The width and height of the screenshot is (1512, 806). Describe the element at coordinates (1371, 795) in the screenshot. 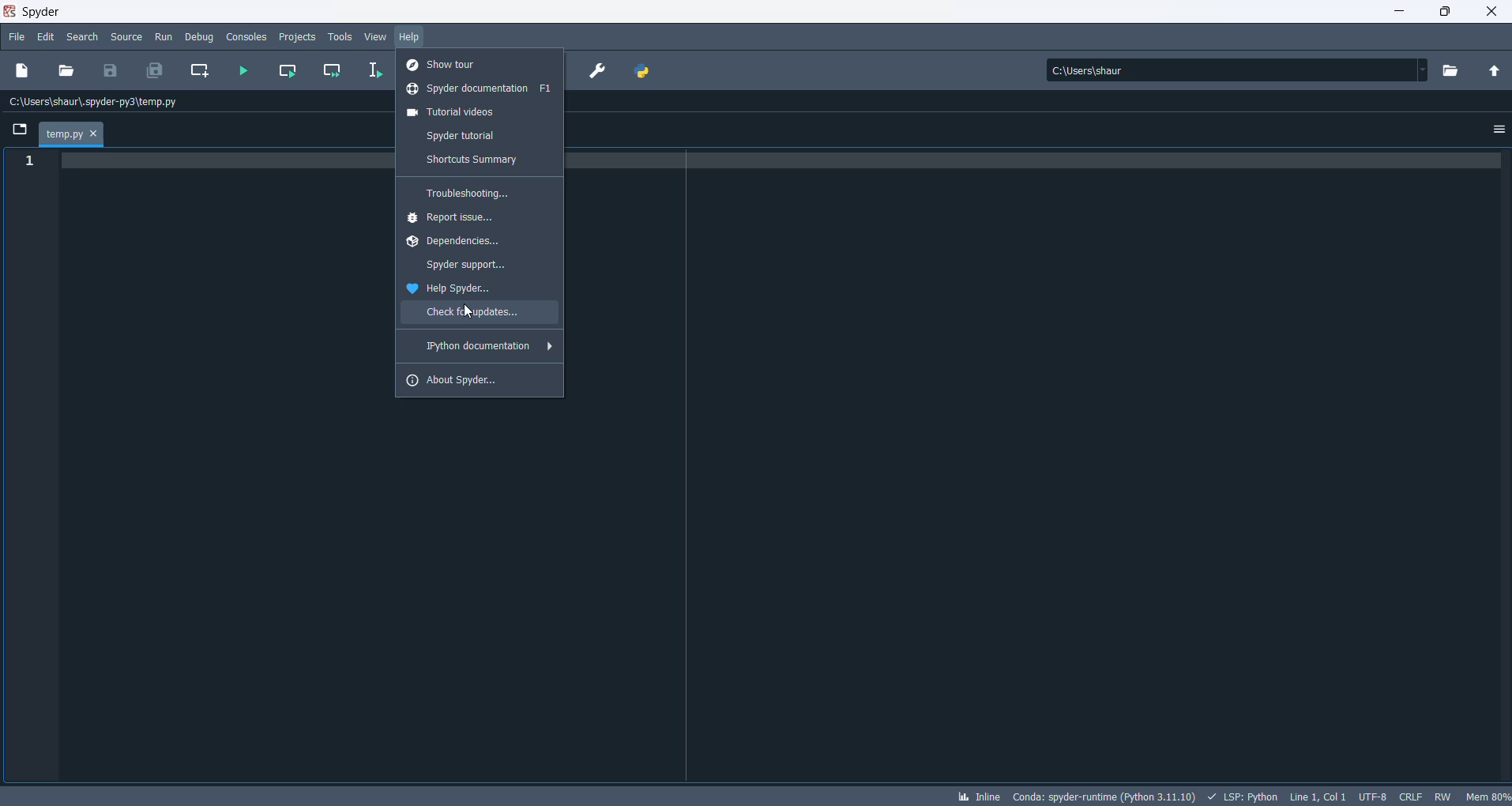

I see `CHARSET` at that location.